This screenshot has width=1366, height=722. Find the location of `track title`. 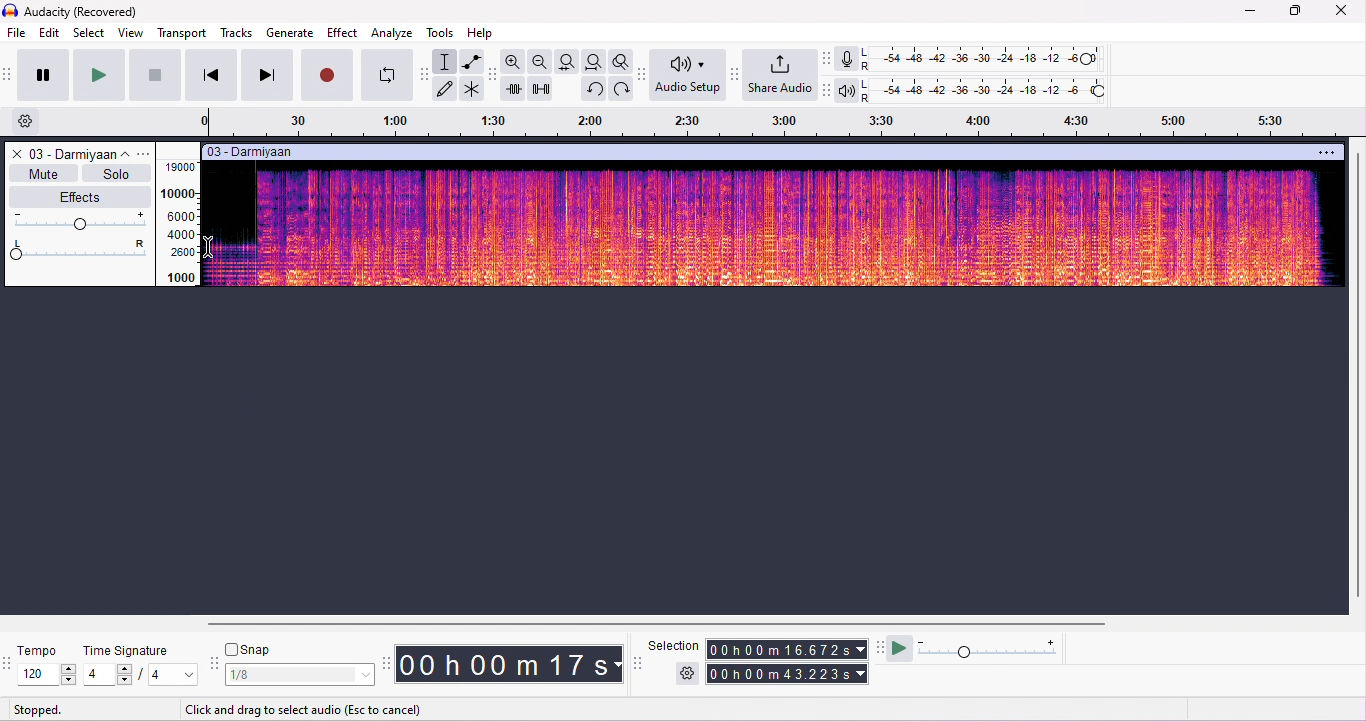

track title is located at coordinates (312, 153).